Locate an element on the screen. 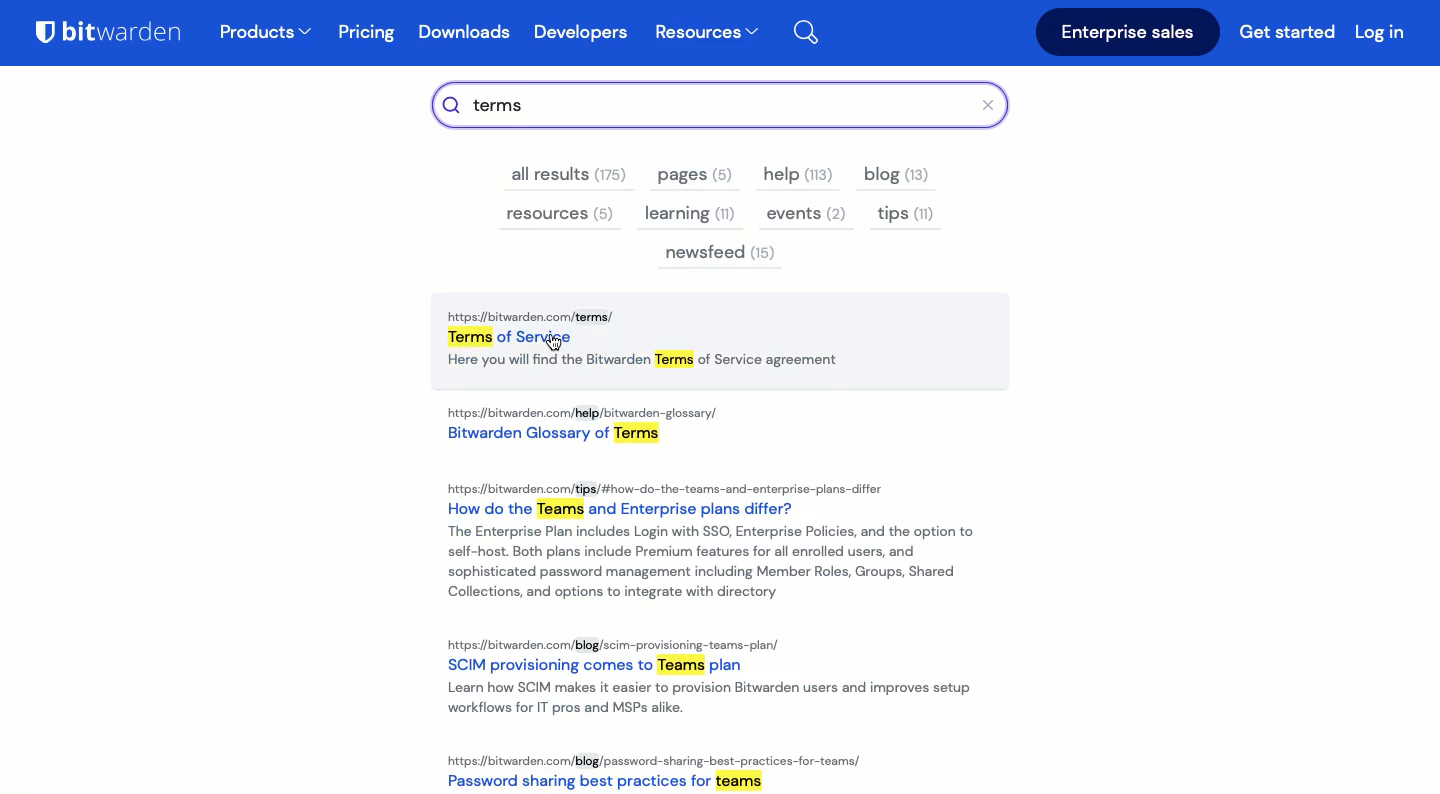 The image size is (1440, 794). newsfeed is located at coordinates (721, 255).